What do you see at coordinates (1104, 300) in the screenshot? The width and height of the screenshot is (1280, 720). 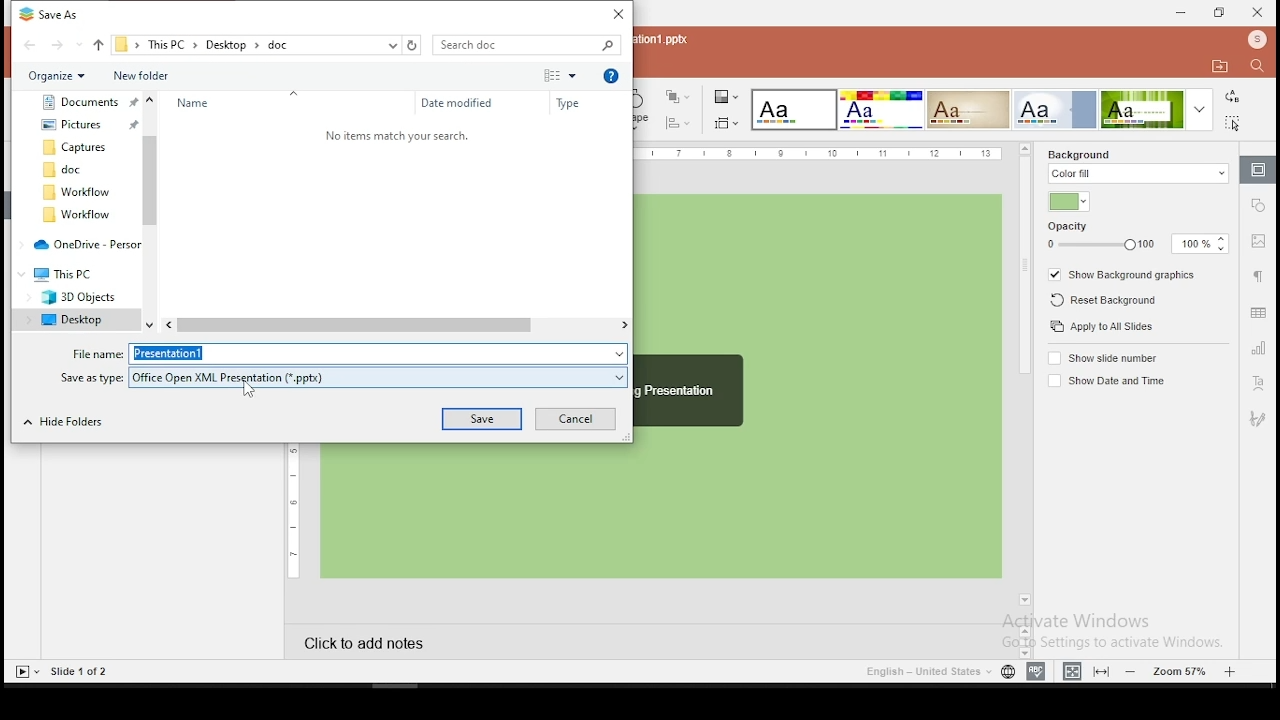 I see `reset background` at bounding box center [1104, 300].